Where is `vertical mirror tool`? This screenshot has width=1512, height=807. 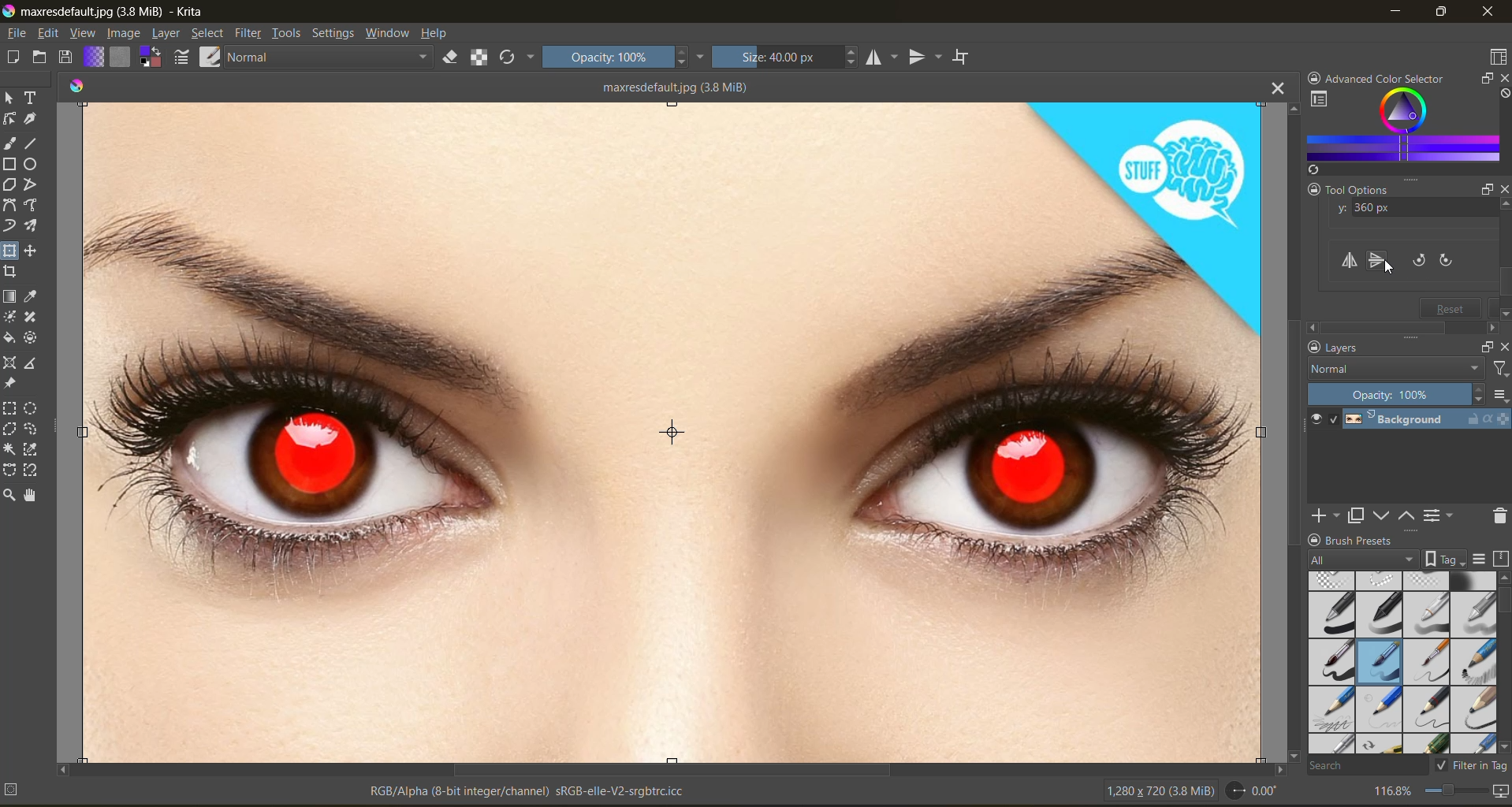 vertical mirror tool is located at coordinates (928, 58).